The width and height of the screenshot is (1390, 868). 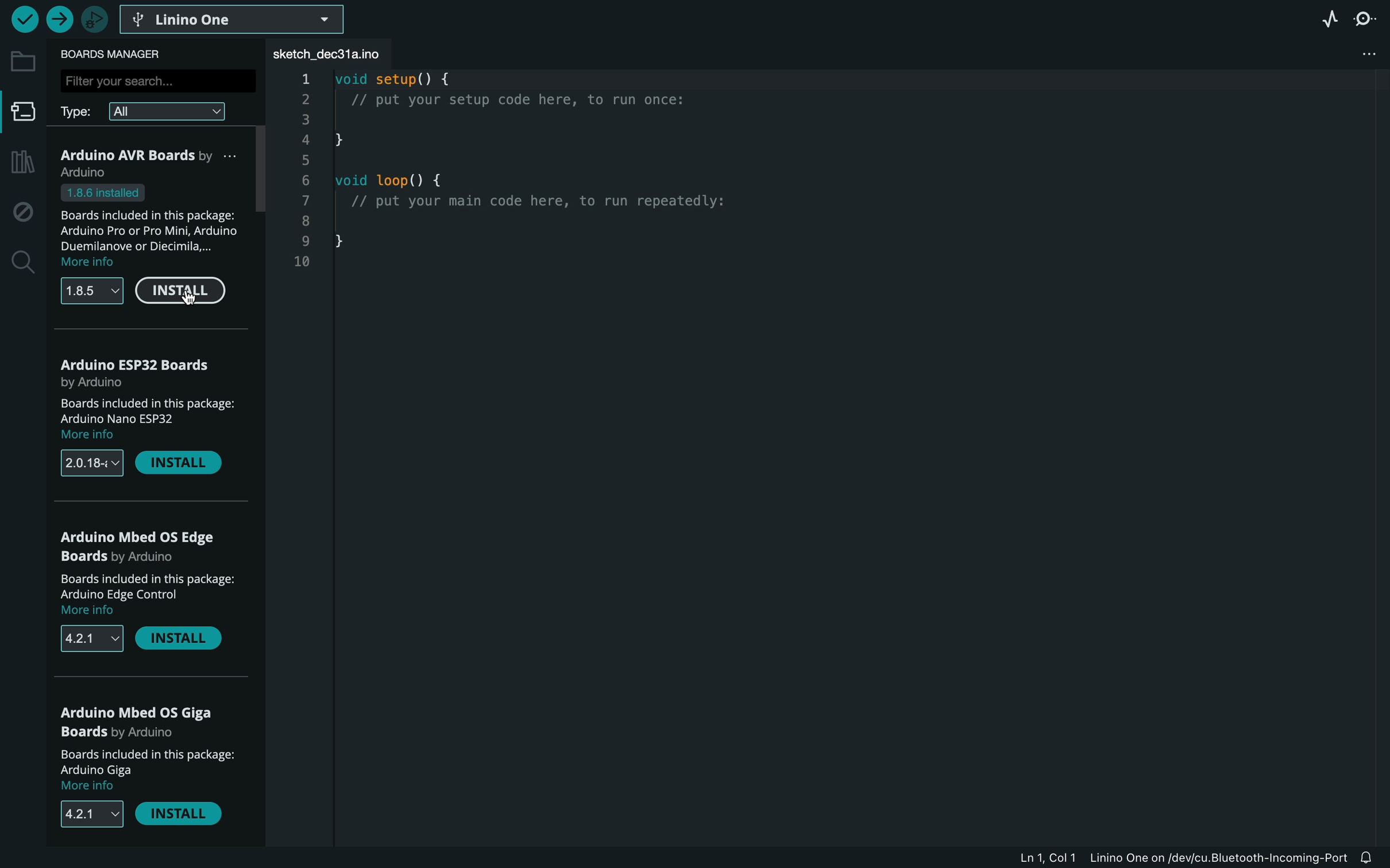 I want to click on library manager, so click(x=20, y=163).